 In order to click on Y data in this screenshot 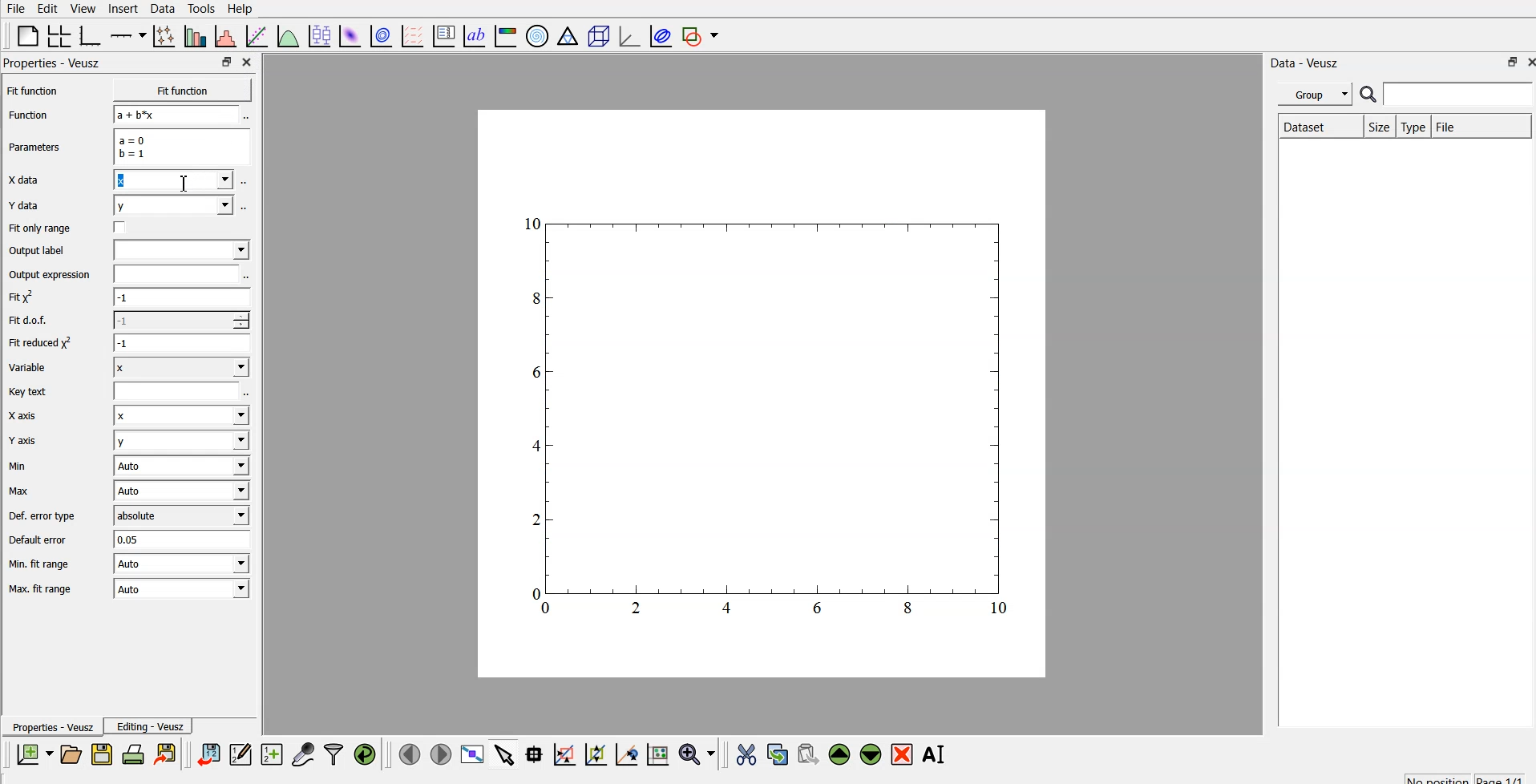, I will do `click(47, 208)`.